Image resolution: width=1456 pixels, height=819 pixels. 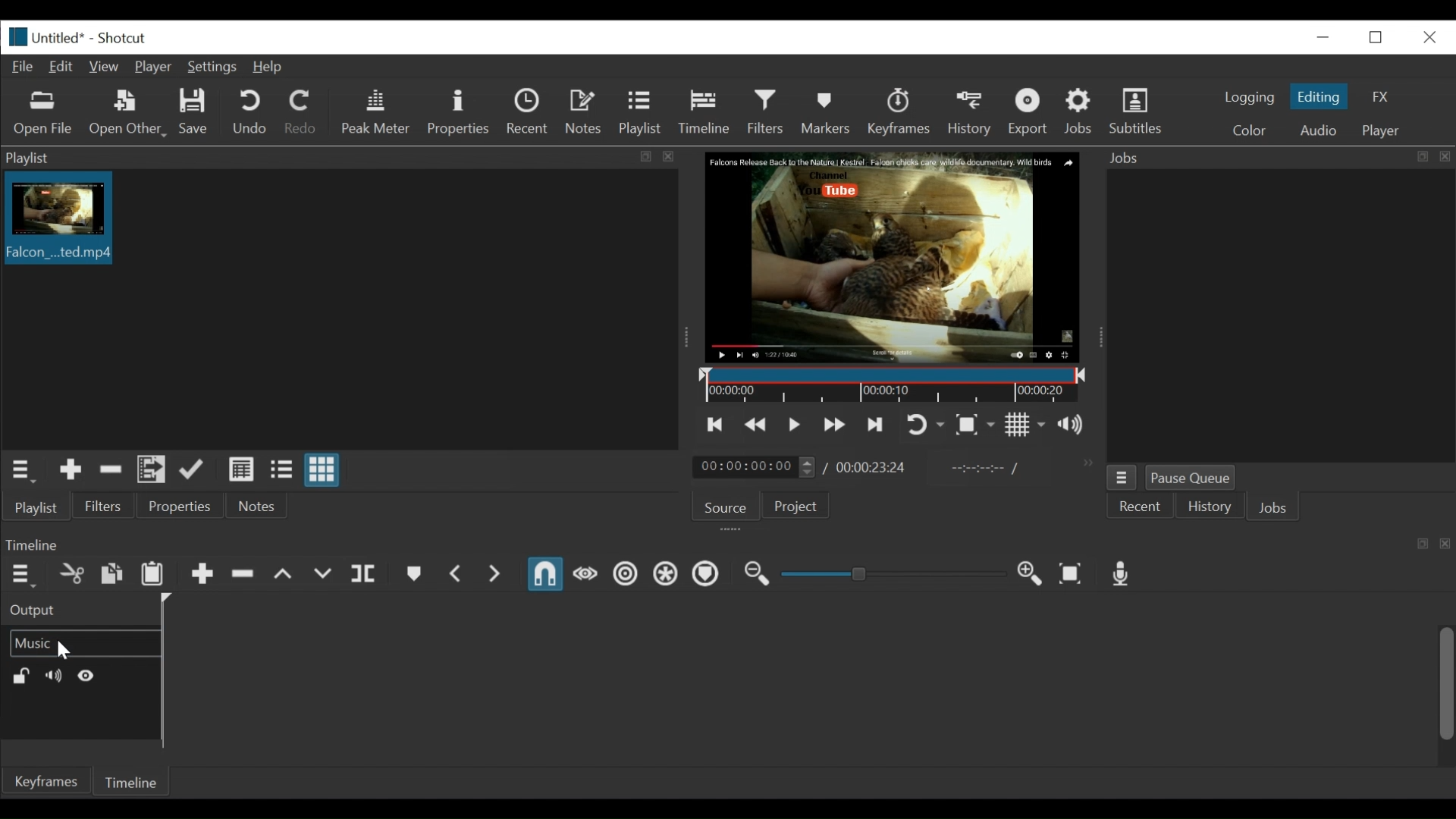 I want to click on Properties, so click(x=458, y=111).